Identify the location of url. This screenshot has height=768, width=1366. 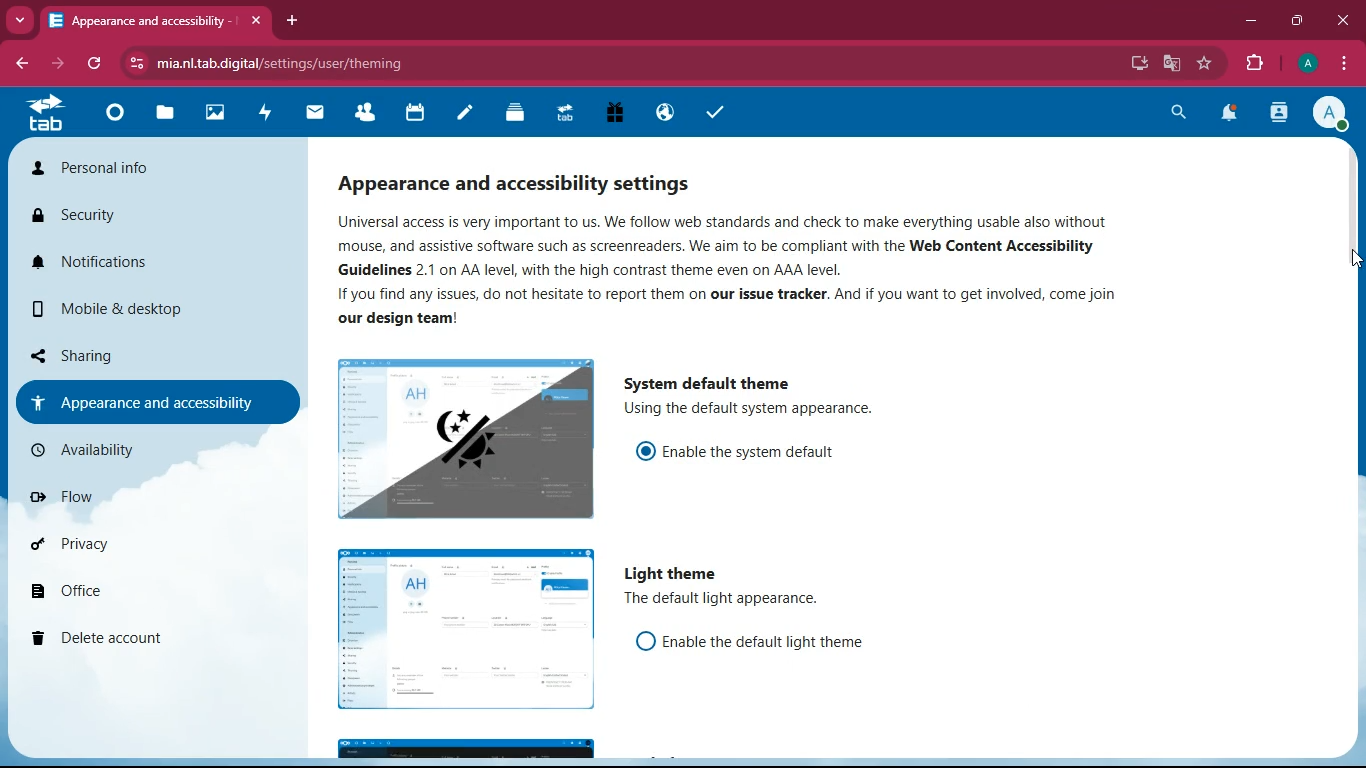
(283, 64).